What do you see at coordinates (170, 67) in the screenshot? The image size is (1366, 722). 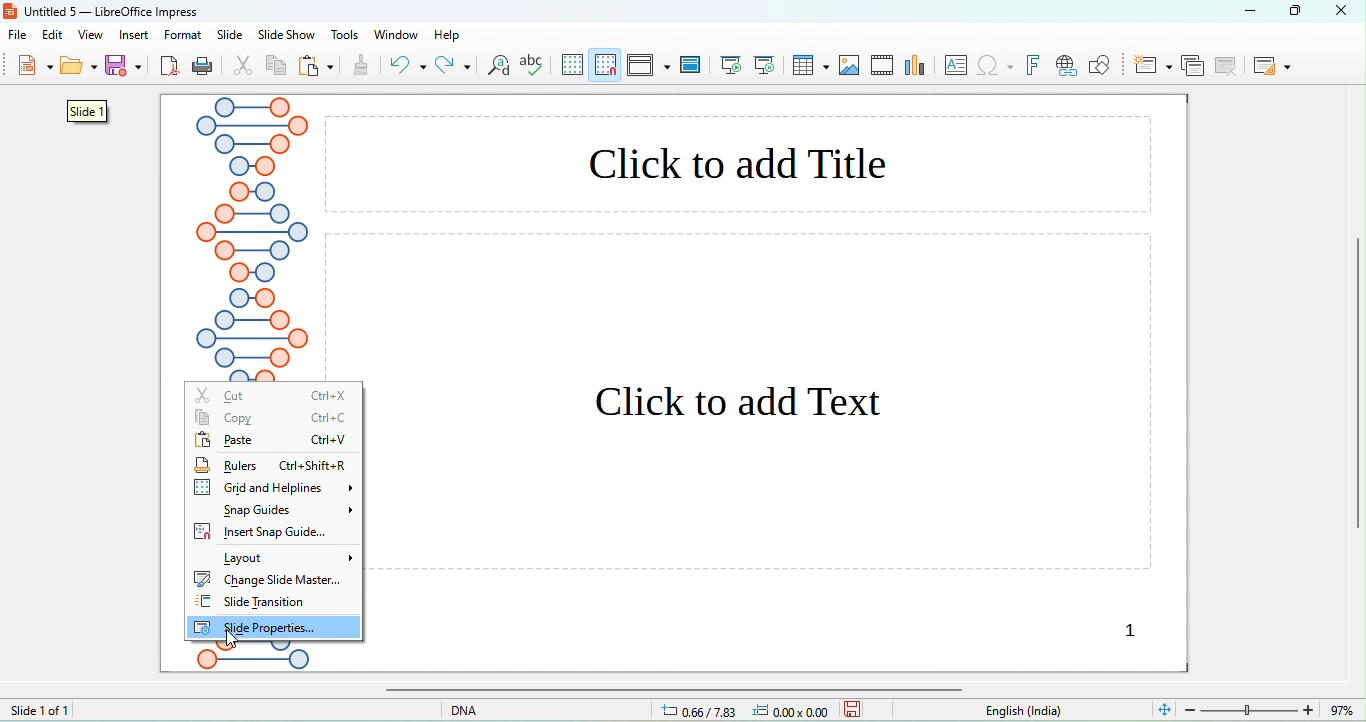 I see `export pdf` at bounding box center [170, 67].